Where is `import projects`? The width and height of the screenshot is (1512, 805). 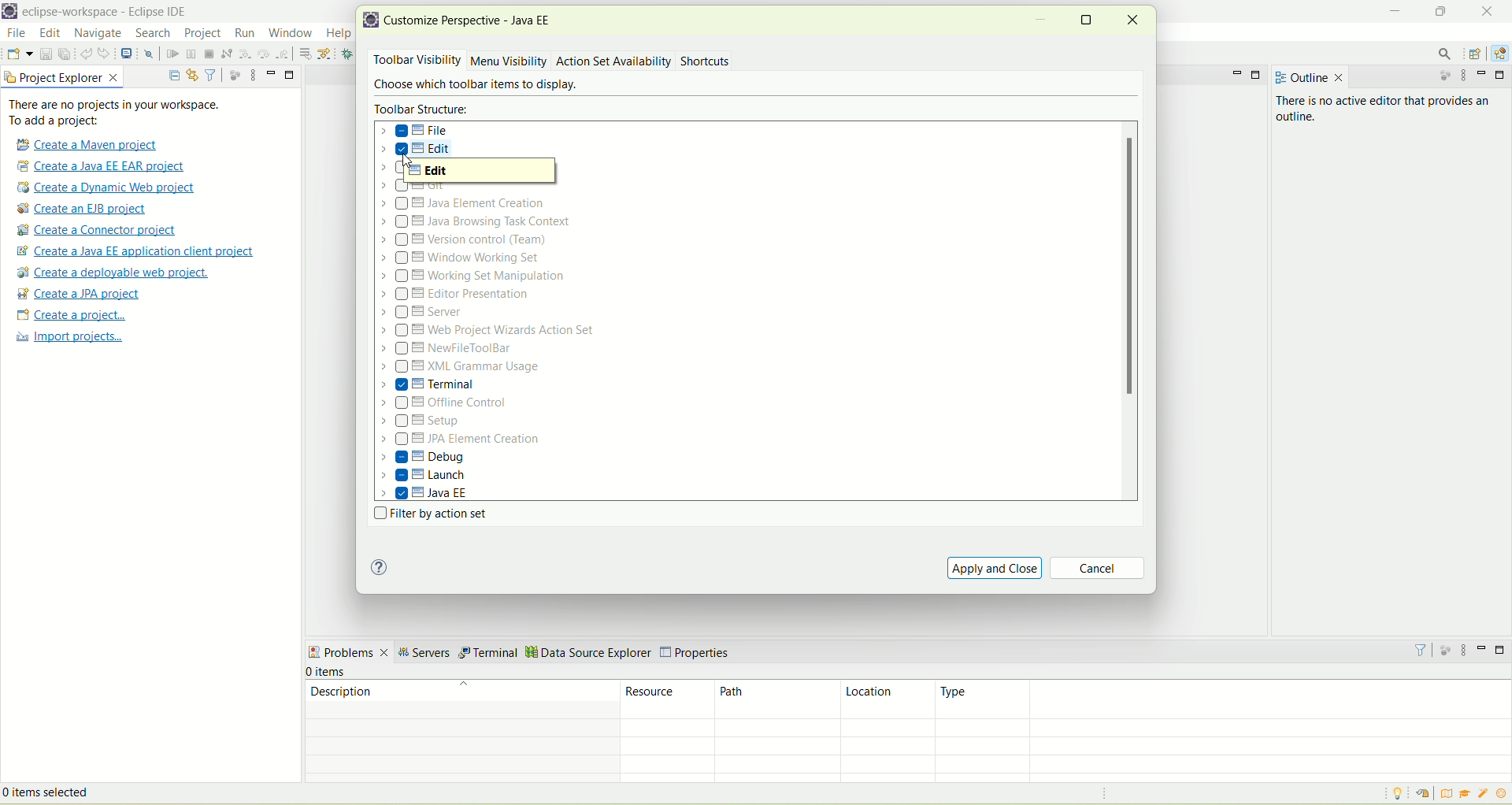 import projects is located at coordinates (68, 339).